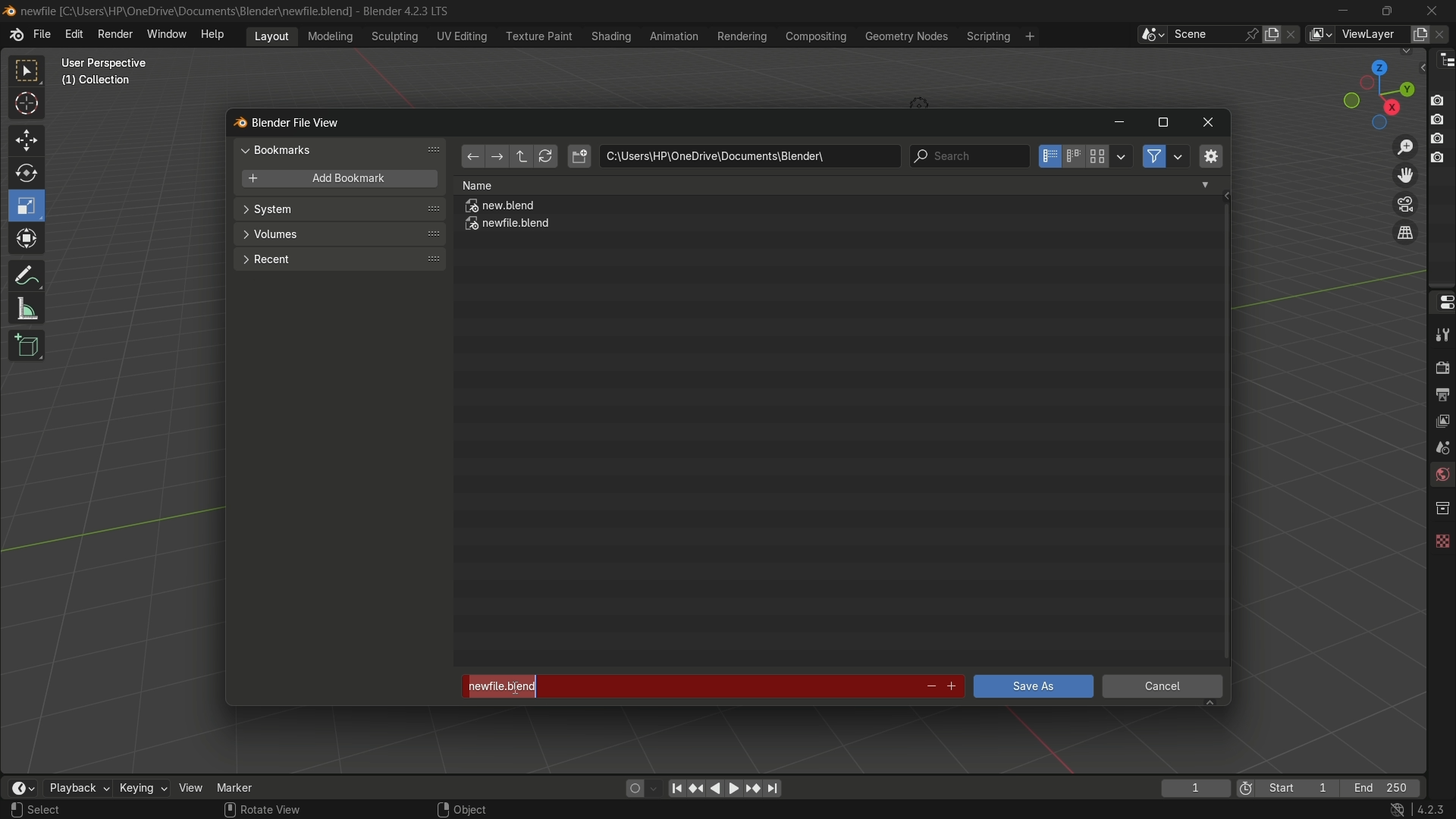 The height and width of the screenshot is (819, 1456). I want to click on system, so click(340, 211).